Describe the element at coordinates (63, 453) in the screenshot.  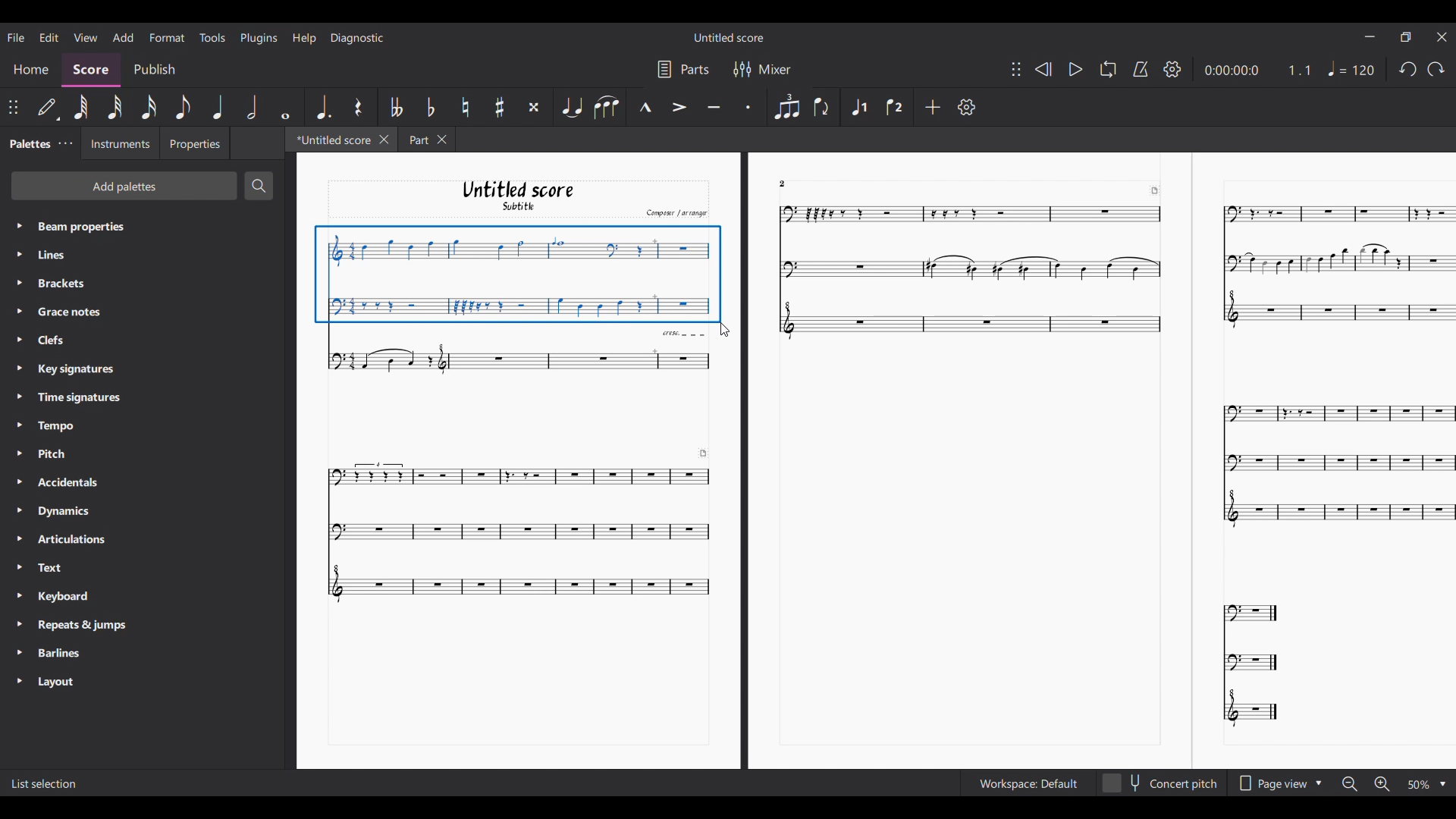
I see `Pitch` at that location.